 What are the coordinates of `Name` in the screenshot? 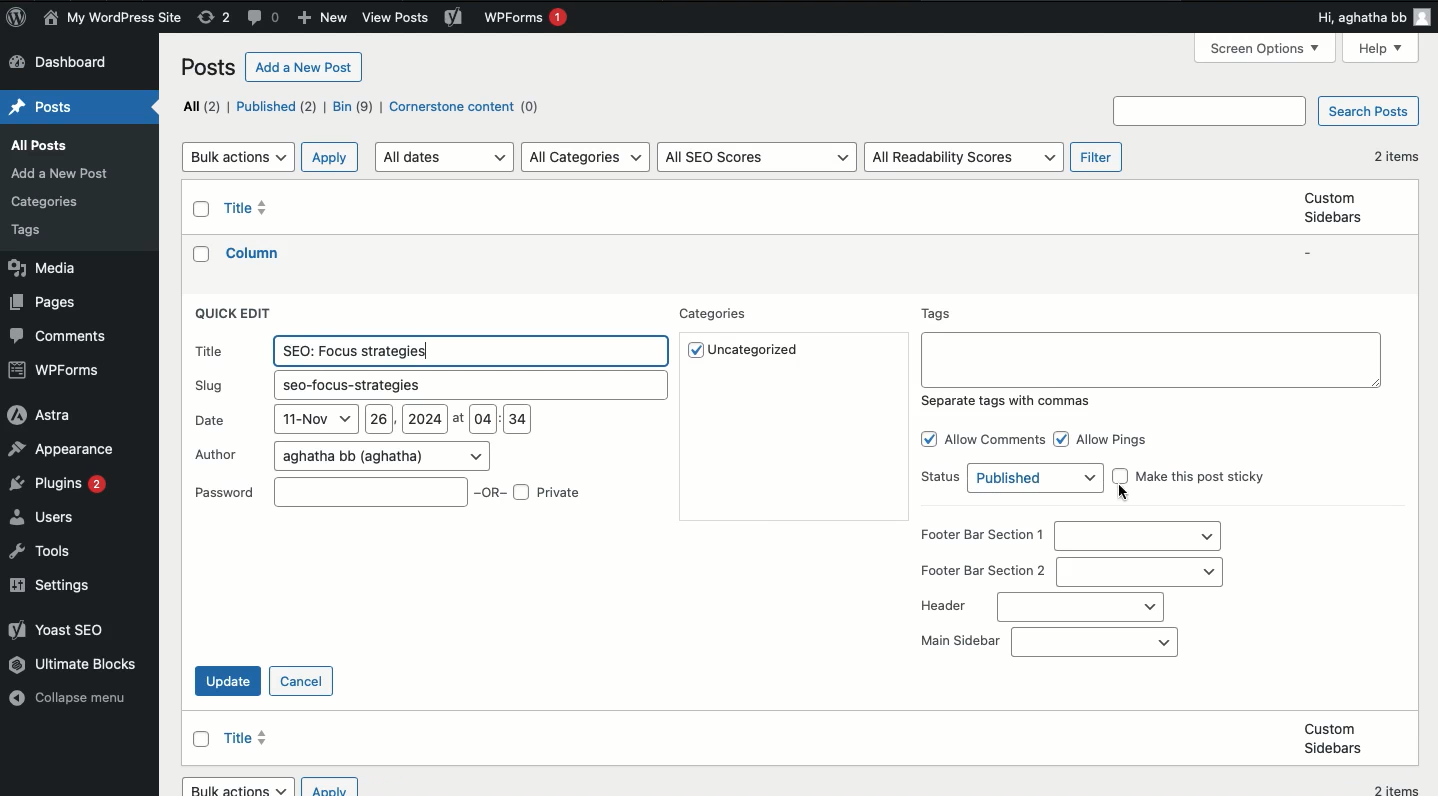 It's located at (115, 19).